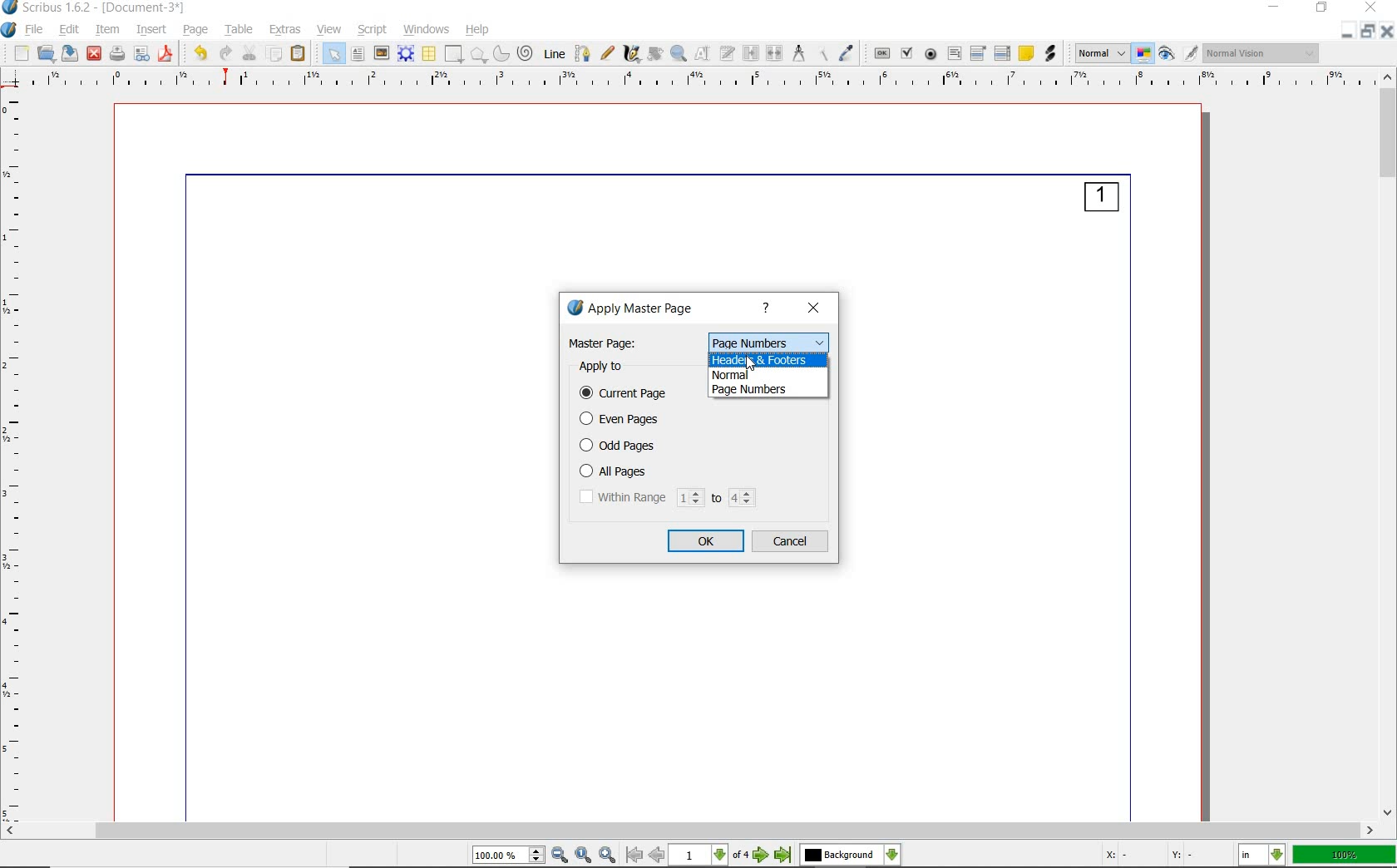  I want to click on current page, so click(627, 394).